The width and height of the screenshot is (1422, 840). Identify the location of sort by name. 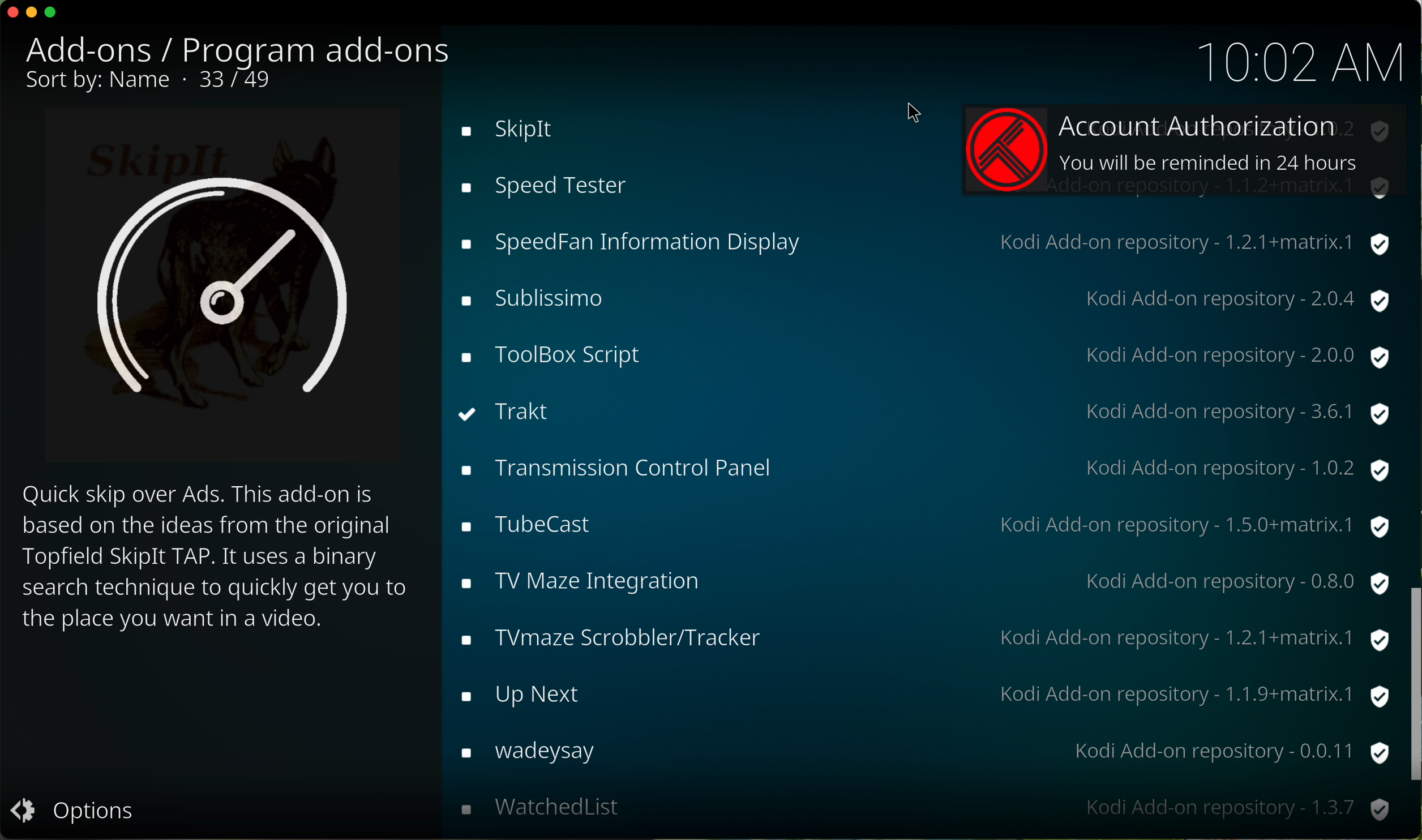
(105, 84).